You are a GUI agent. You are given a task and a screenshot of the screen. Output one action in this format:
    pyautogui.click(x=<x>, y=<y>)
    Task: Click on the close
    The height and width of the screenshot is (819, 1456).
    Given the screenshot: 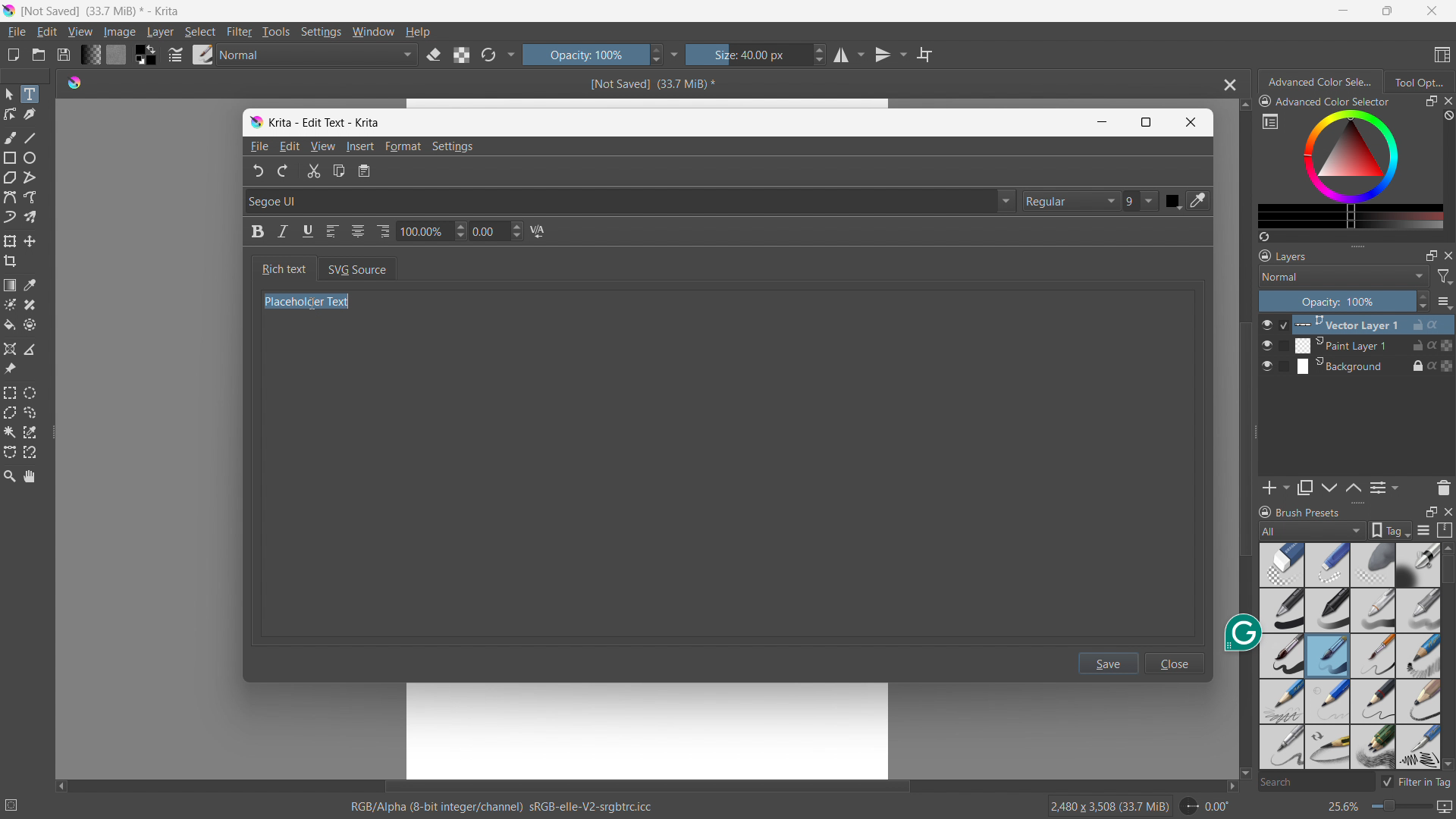 What is the action you would take?
    pyautogui.click(x=1447, y=101)
    